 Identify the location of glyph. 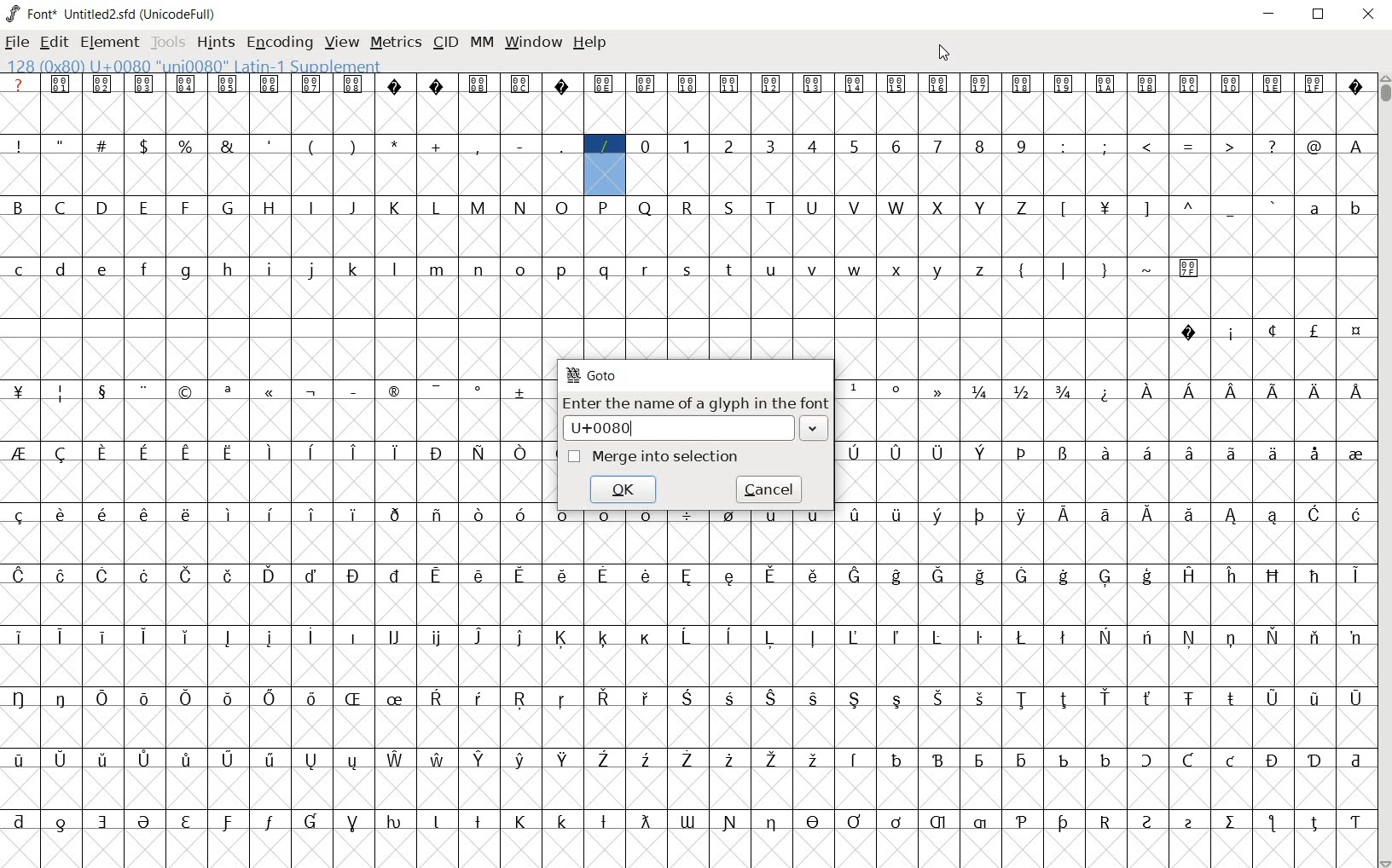
(478, 637).